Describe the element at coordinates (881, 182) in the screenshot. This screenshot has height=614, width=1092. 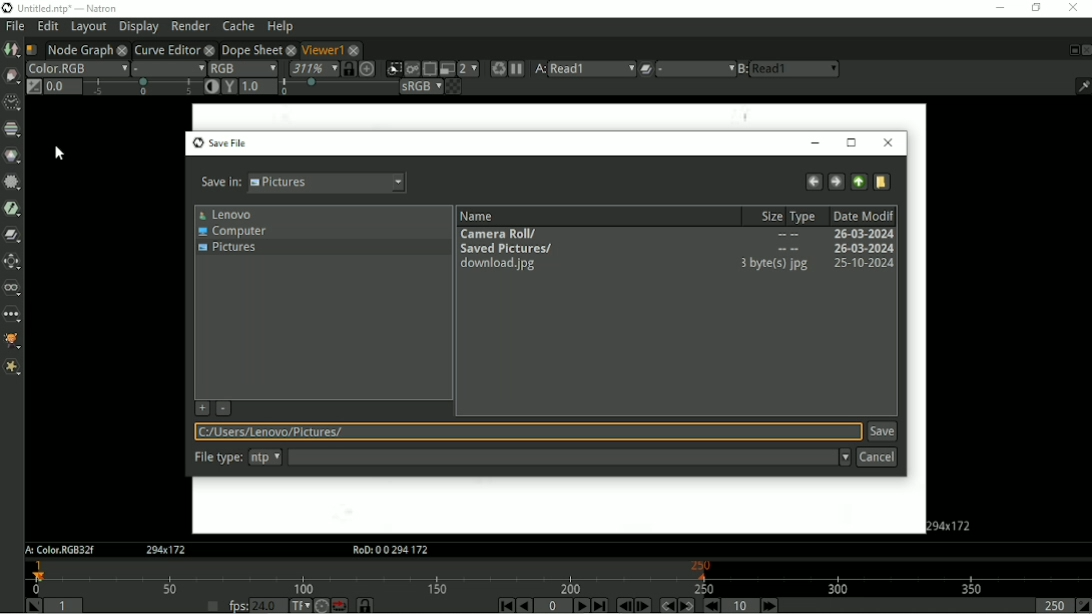
I see `Create a new directory here` at that location.